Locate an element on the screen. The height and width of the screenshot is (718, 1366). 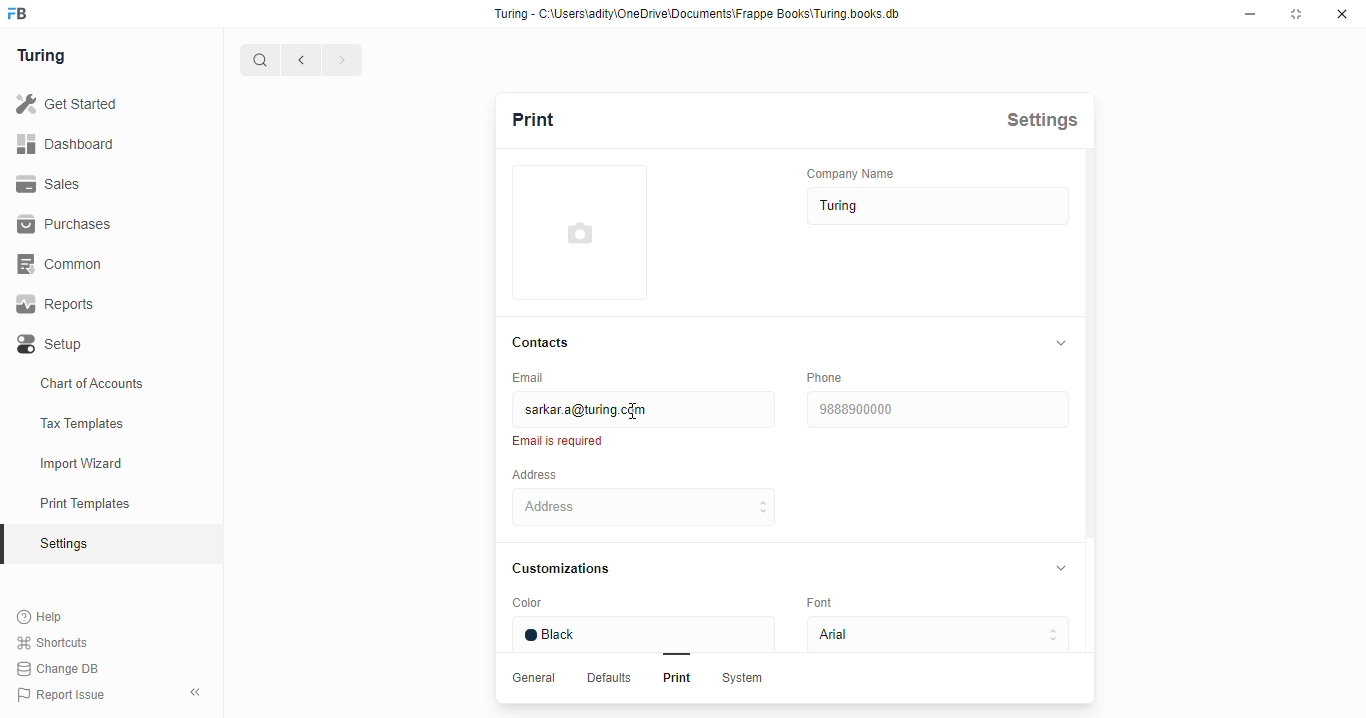
Reports is located at coordinates (63, 305).